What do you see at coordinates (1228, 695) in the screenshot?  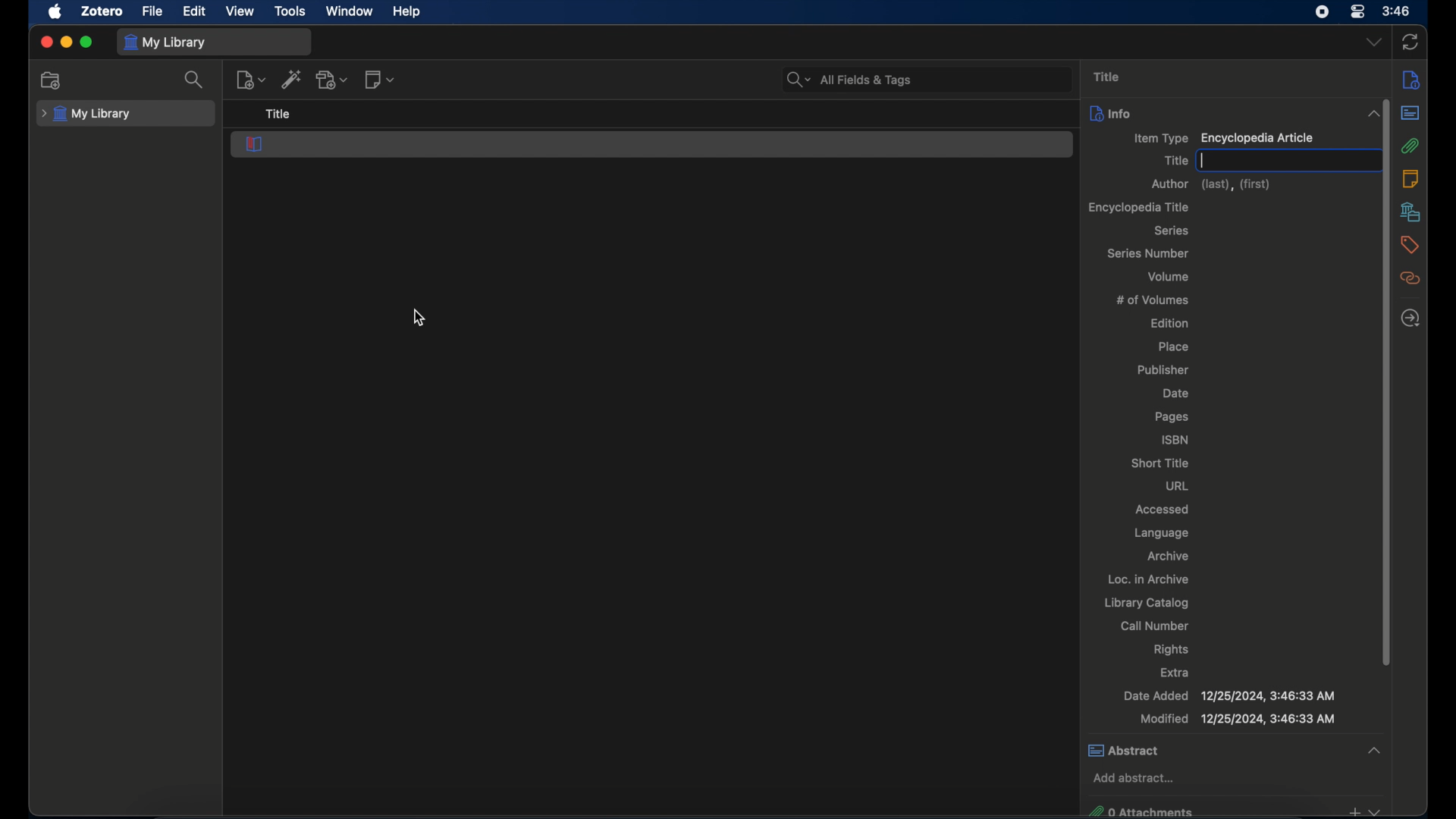 I see `date added` at bounding box center [1228, 695].